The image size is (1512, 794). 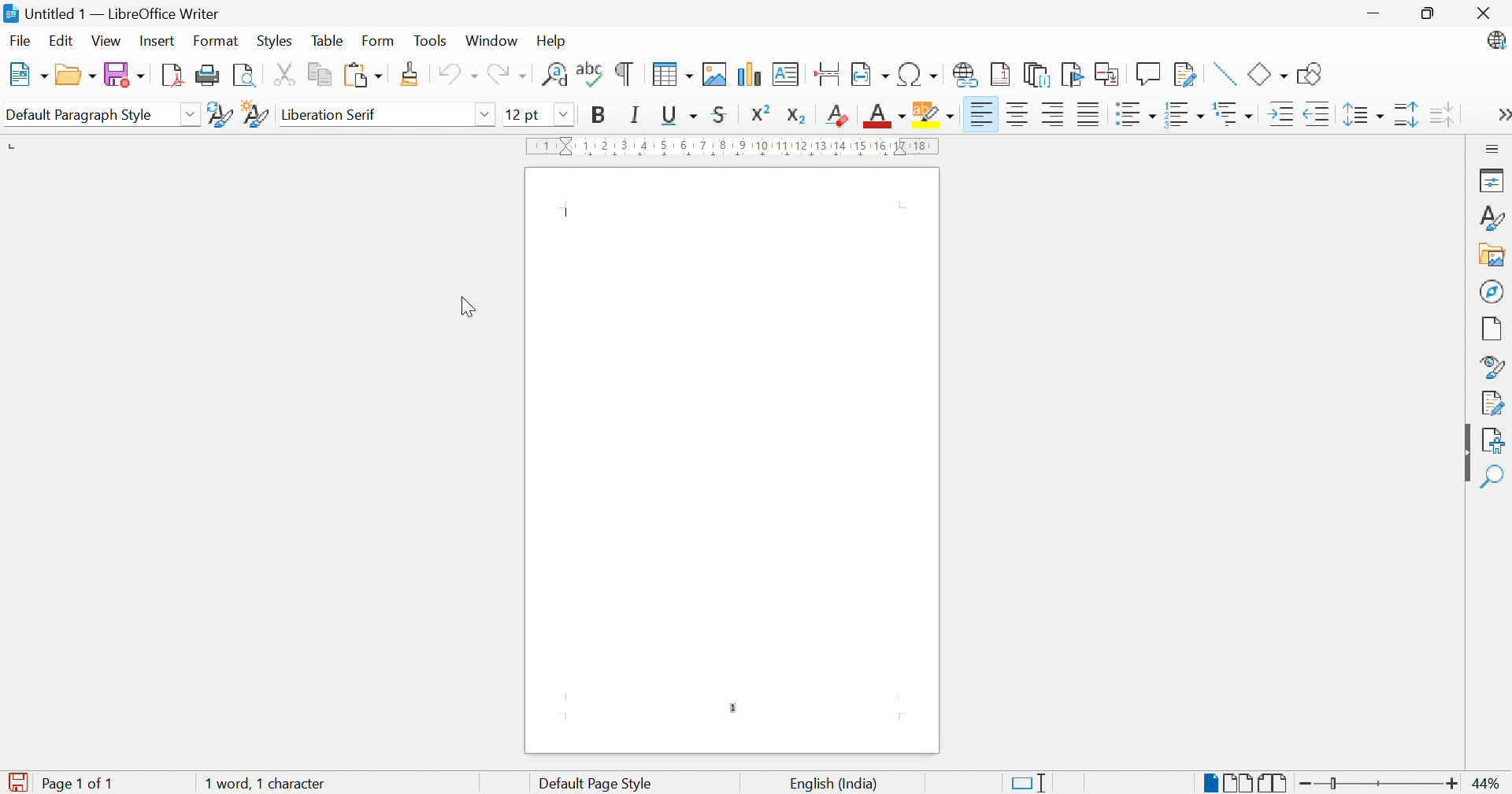 What do you see at coordinates (1147, 74) in the screenshot?
I see `Insert comment` at bounding box center [1147, 74].